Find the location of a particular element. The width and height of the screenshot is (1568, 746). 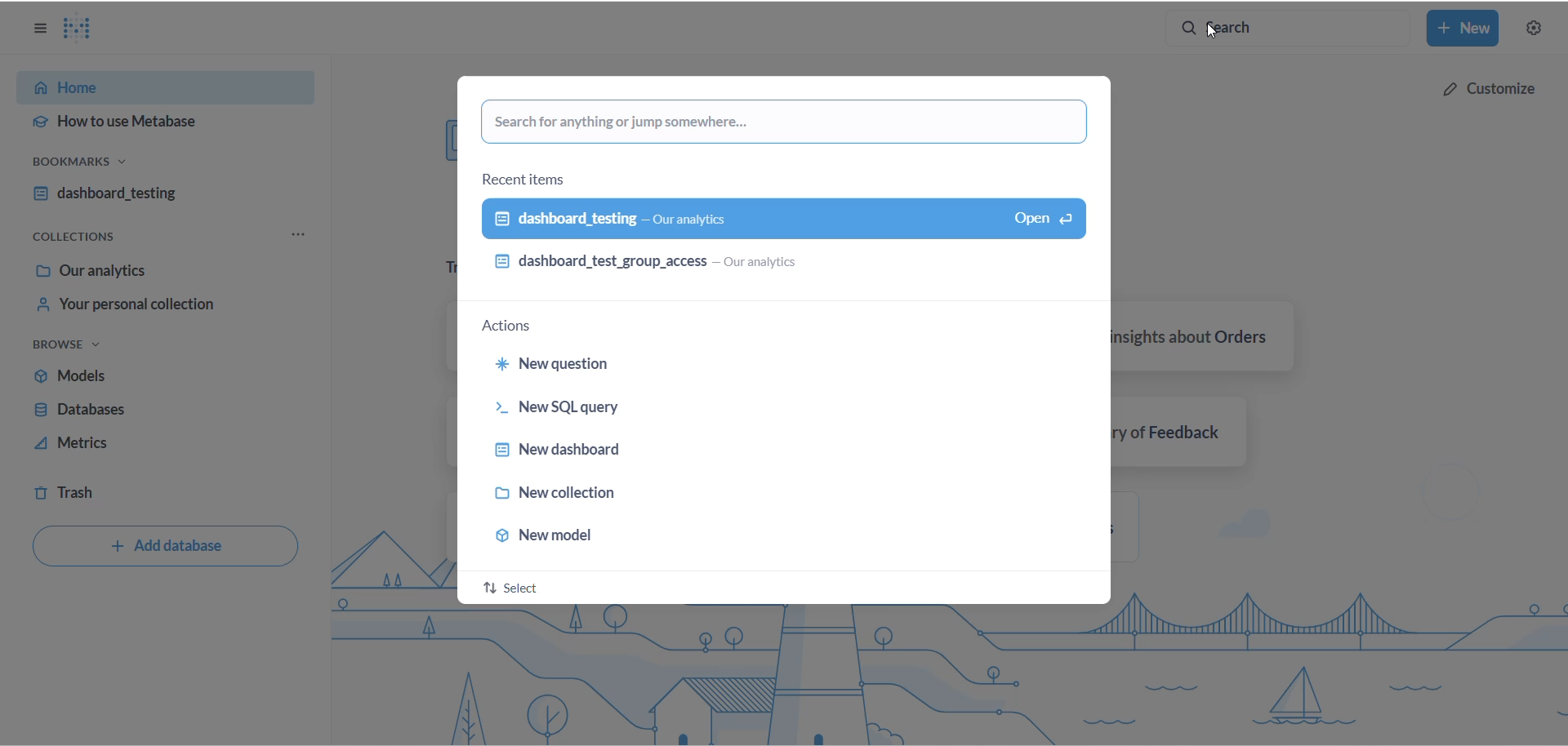

new question is located at coordinates (563, 365).